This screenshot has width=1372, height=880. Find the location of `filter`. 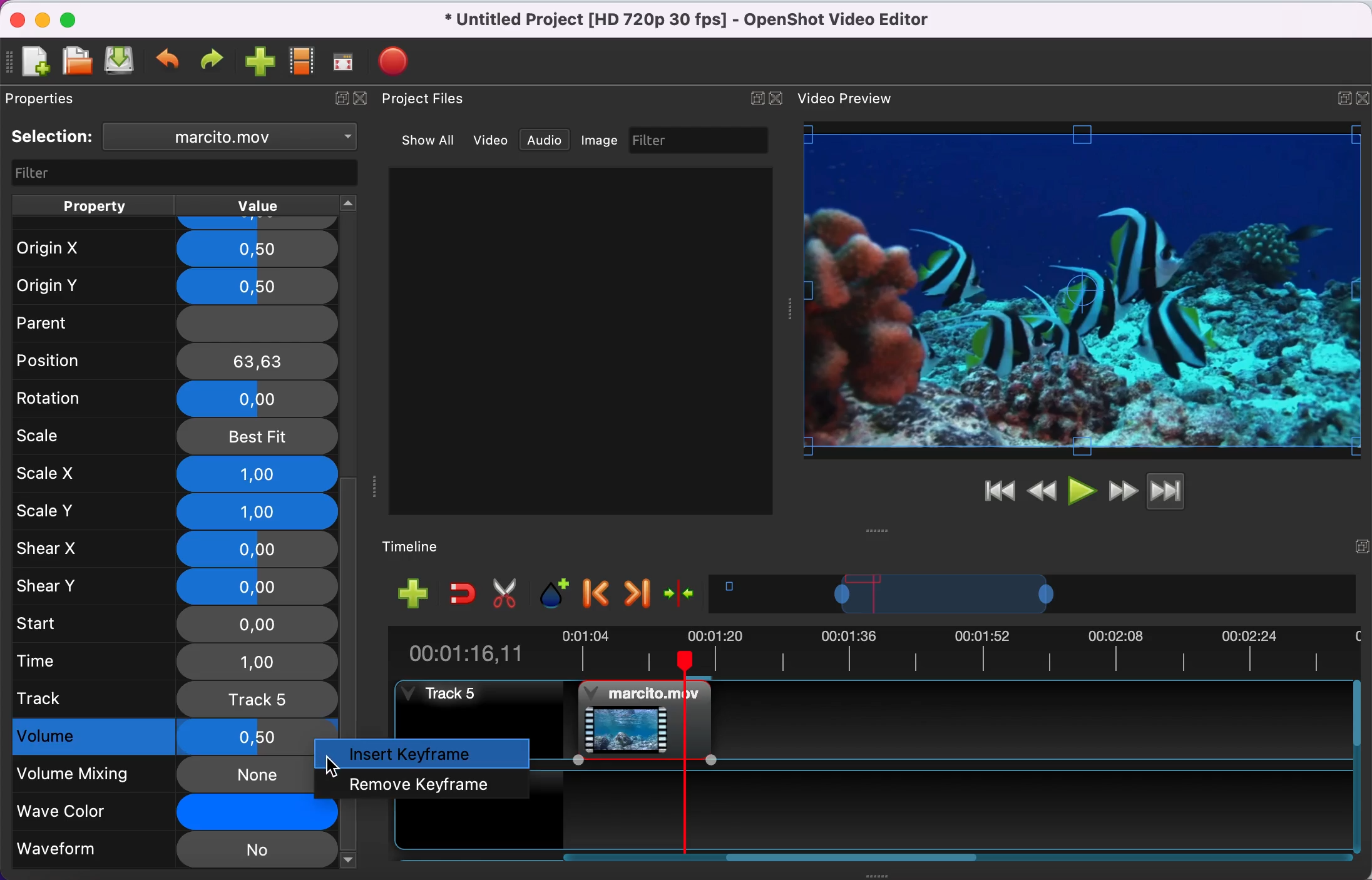

filter is located at coordinates (702, 140).